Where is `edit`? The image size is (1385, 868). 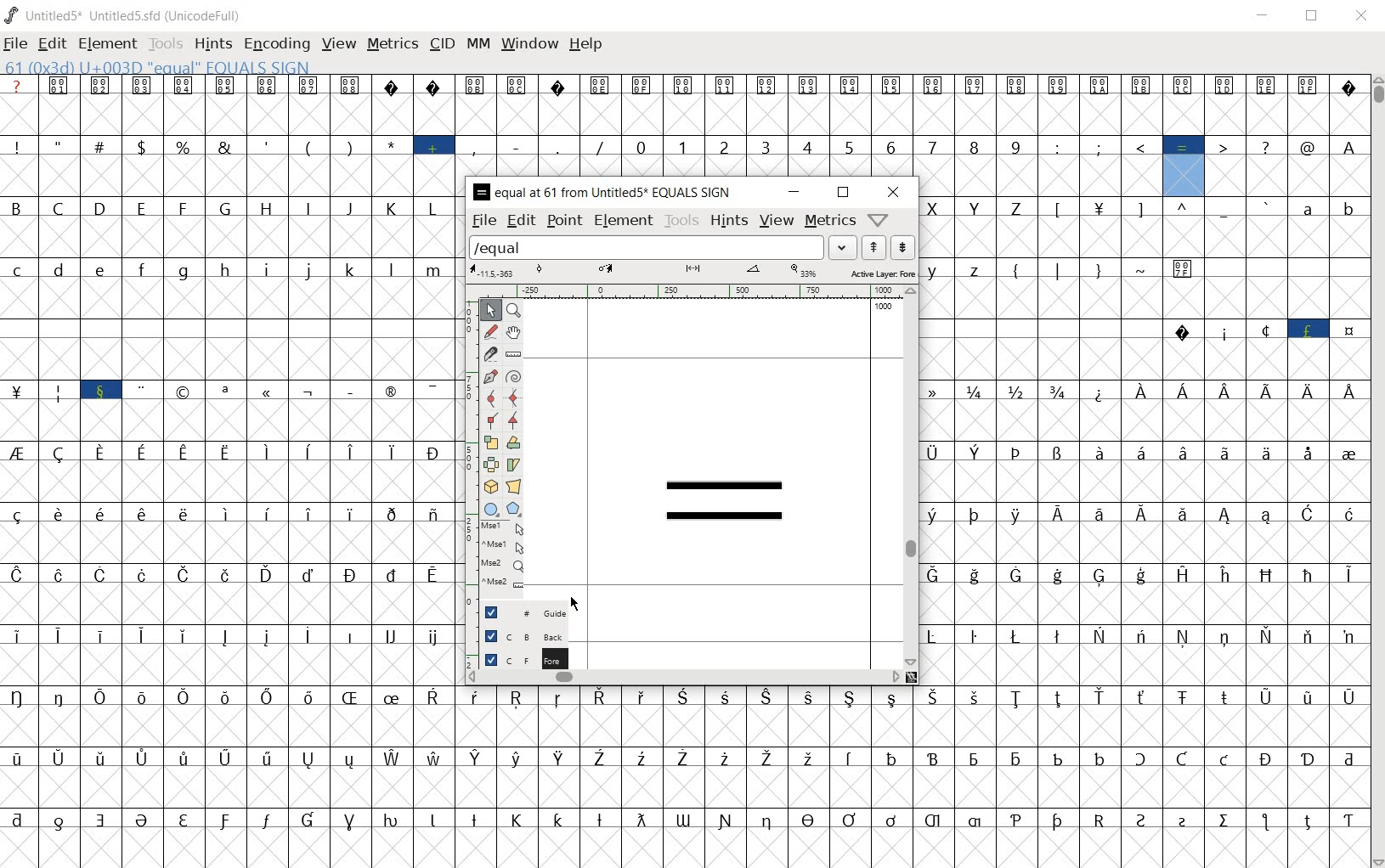
edit is located at coordinates (520, 221).